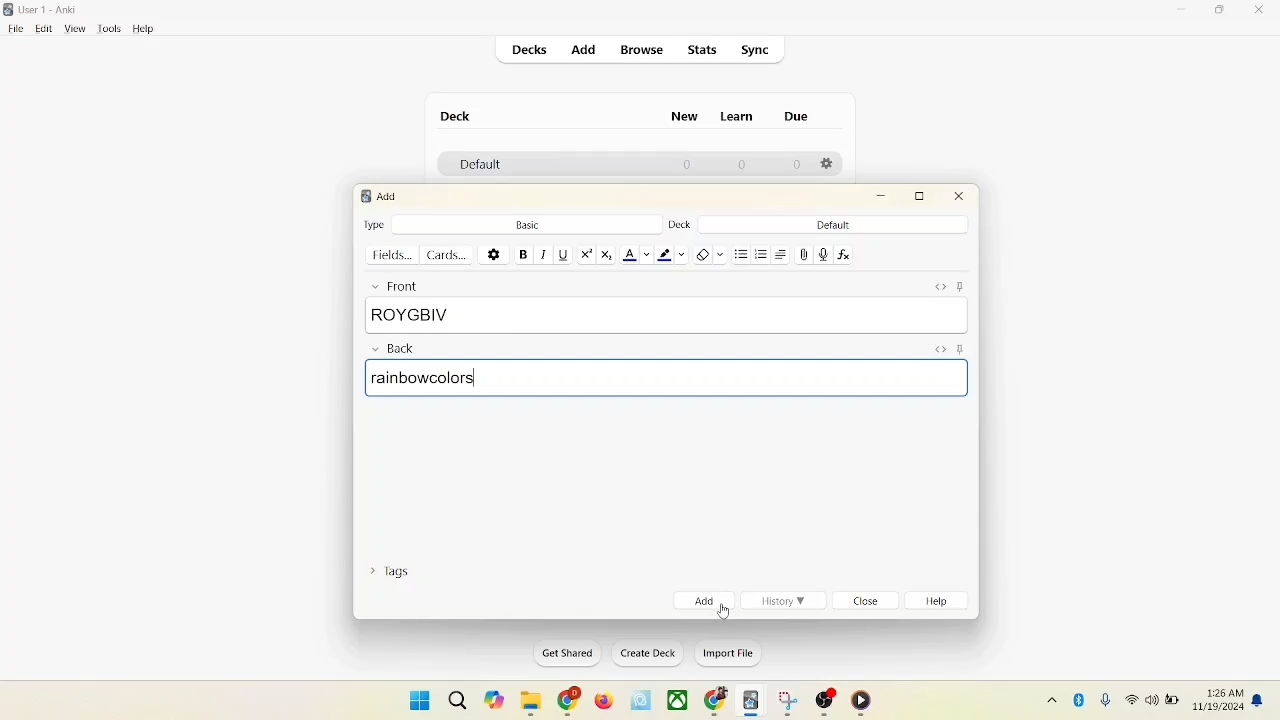 The height and width of the screenshot is (720, 1280). What do you see at coordinates (868, 602) in the screenshot?
I see `close` at bounding box center [868, 602].